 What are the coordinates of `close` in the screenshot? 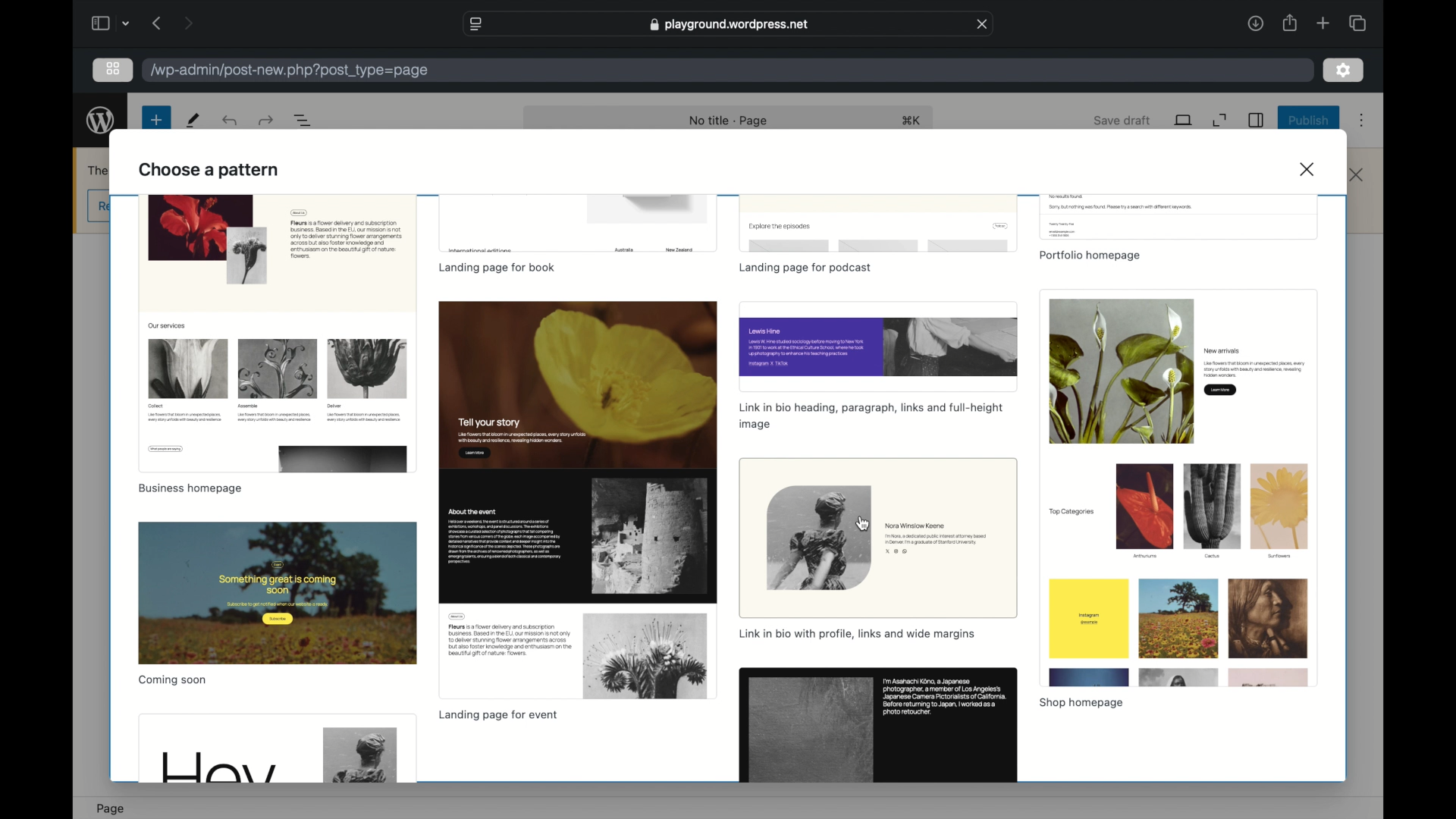 It's located at (1310, 168).